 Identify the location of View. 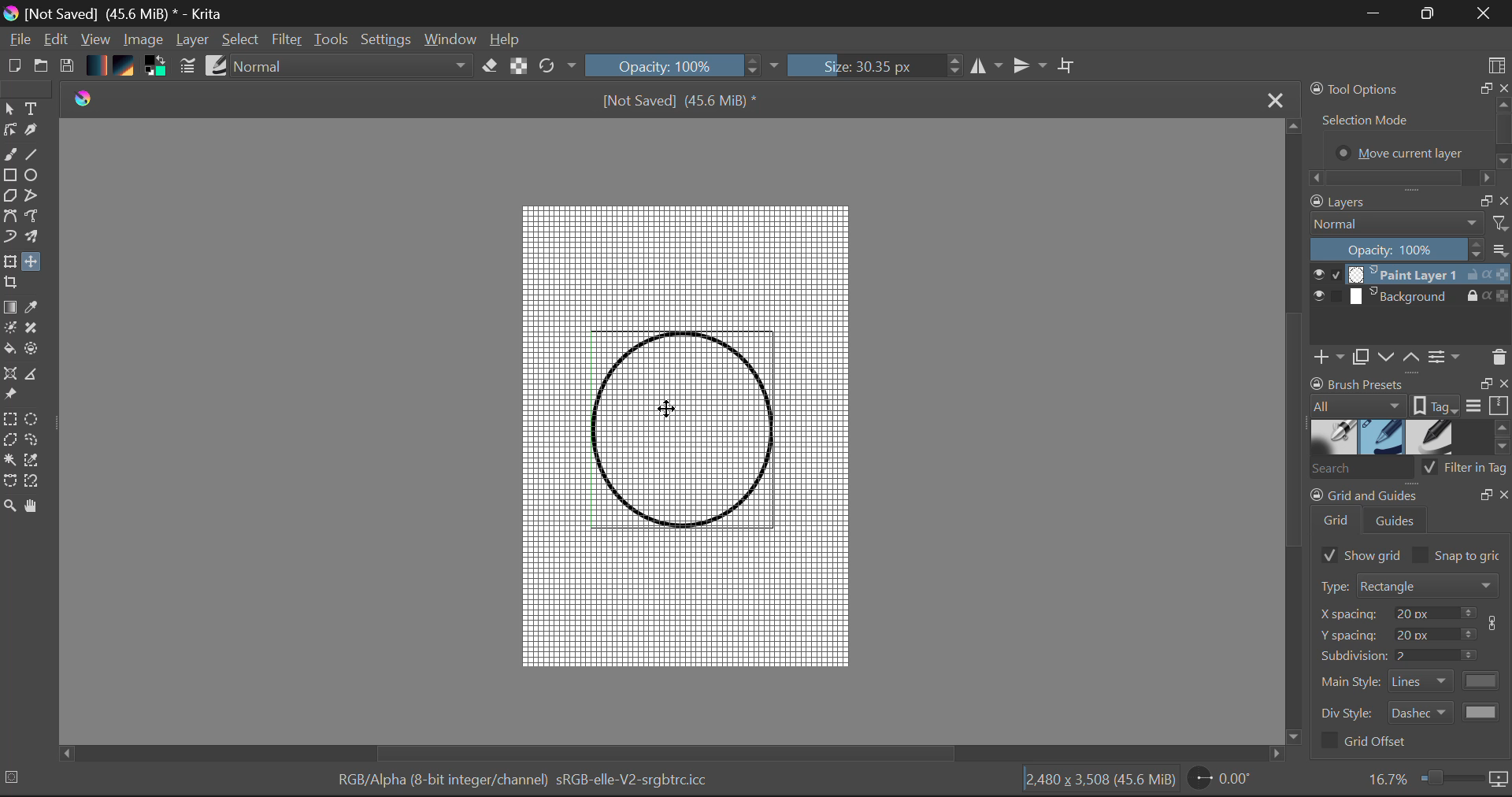
(96, 39).